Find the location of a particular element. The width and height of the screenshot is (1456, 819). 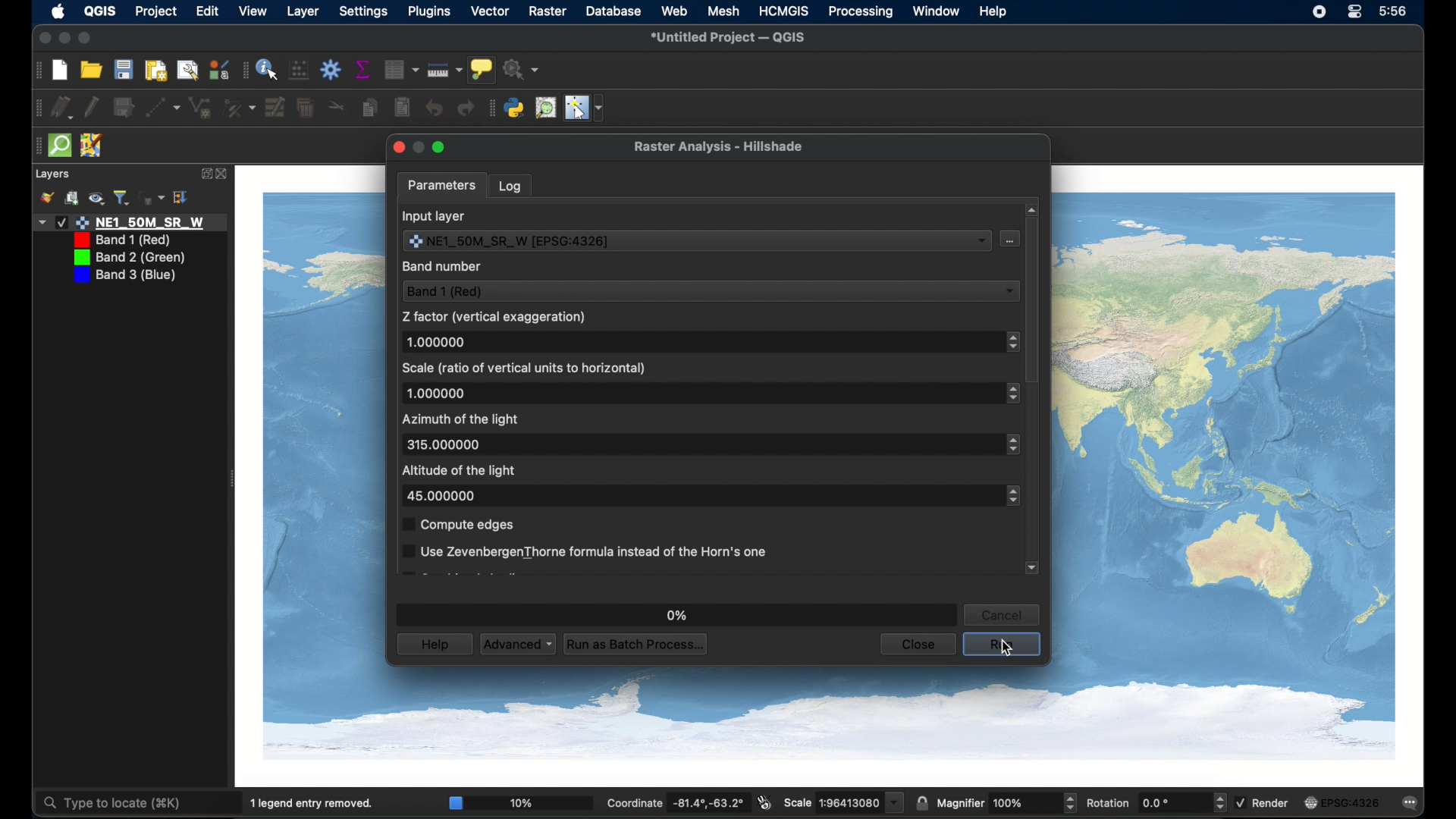

input layer is located at coordinates (1009, 240).